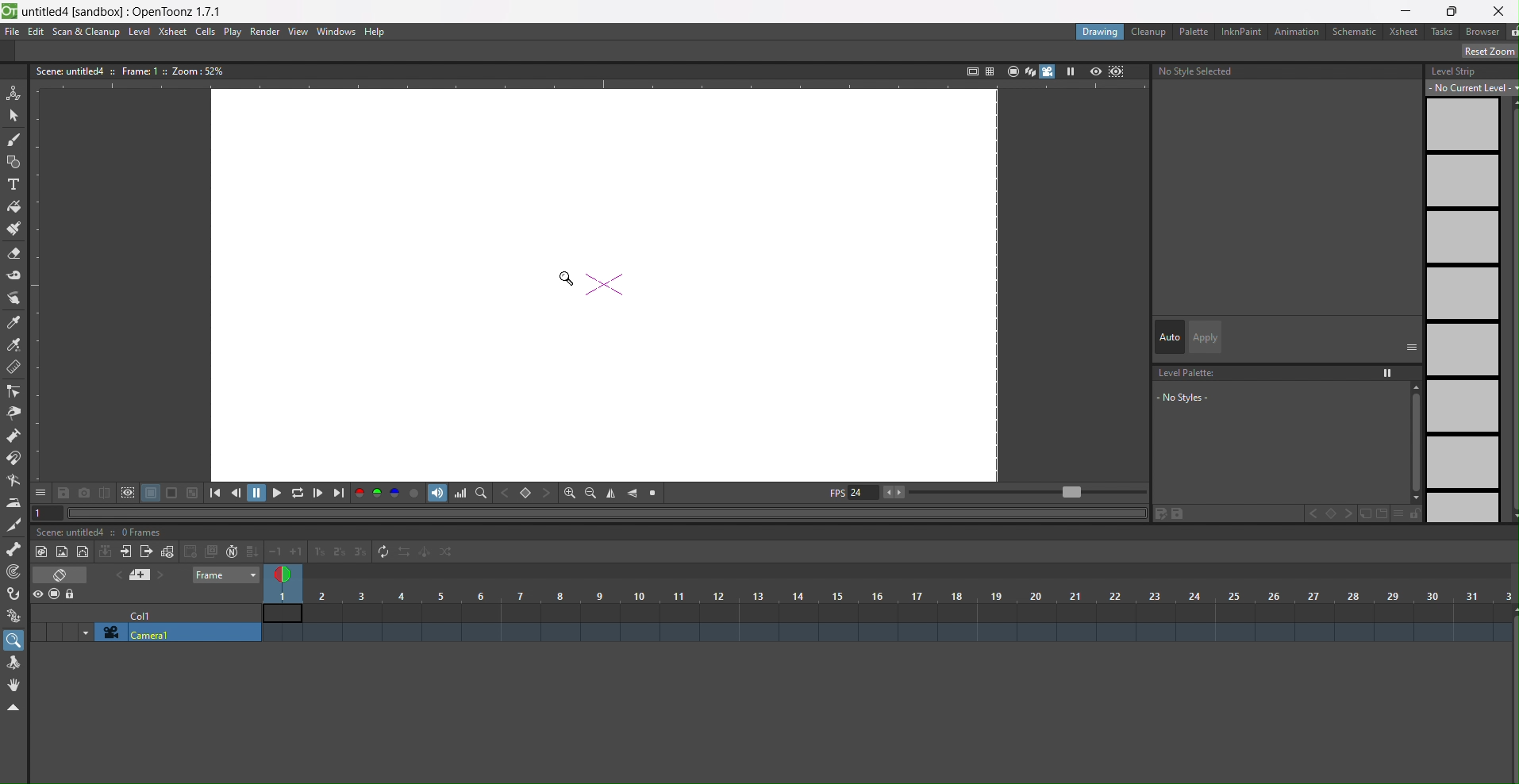 The height and width of the screenshot is (784, 1519). Describe the element at coordinates (1150, 31) in the screenshot. I see `cleanup` at that location.